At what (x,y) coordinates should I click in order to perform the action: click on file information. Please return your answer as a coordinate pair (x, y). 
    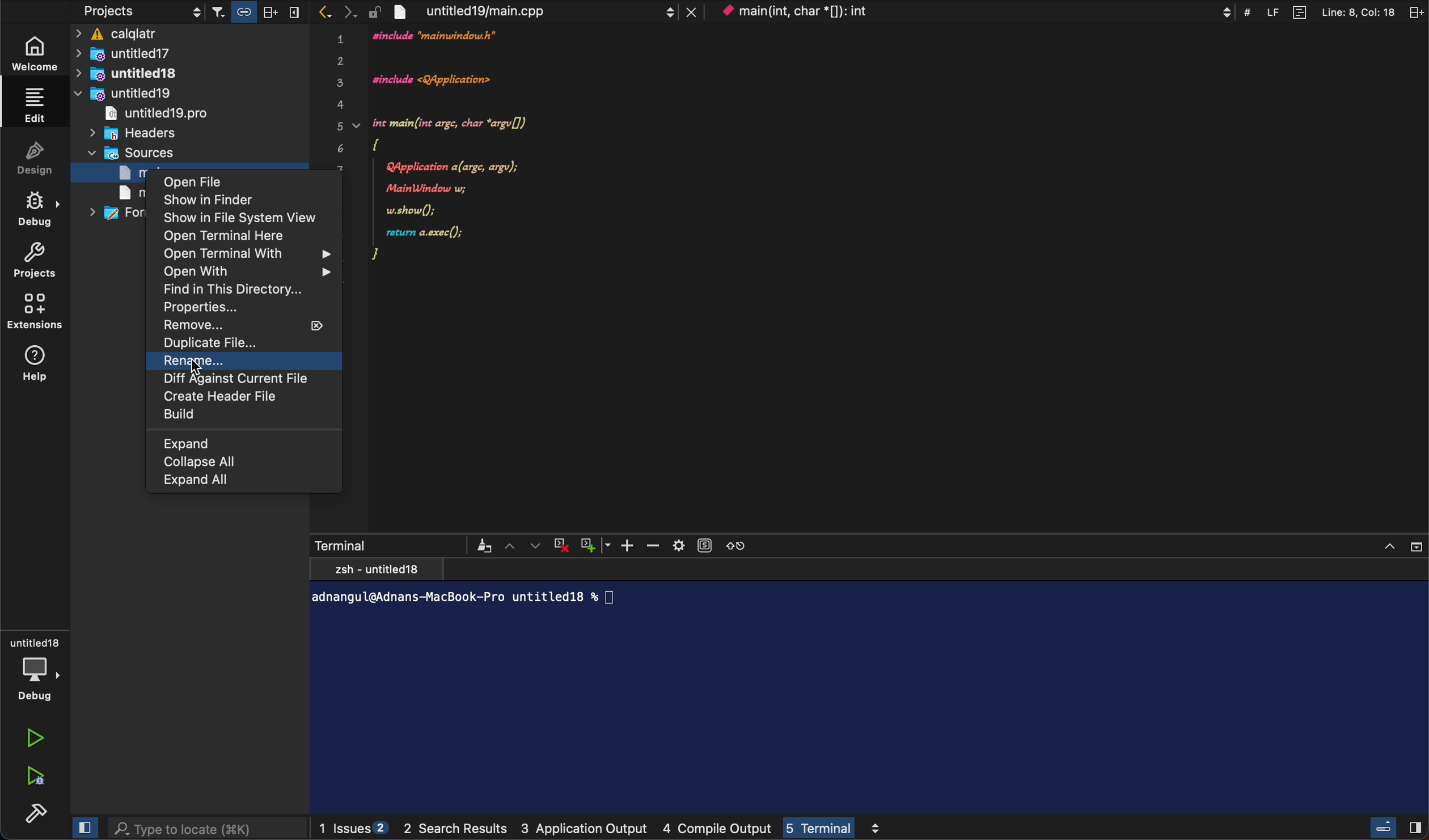
    Looking at the image, I should click on (1318, 11).